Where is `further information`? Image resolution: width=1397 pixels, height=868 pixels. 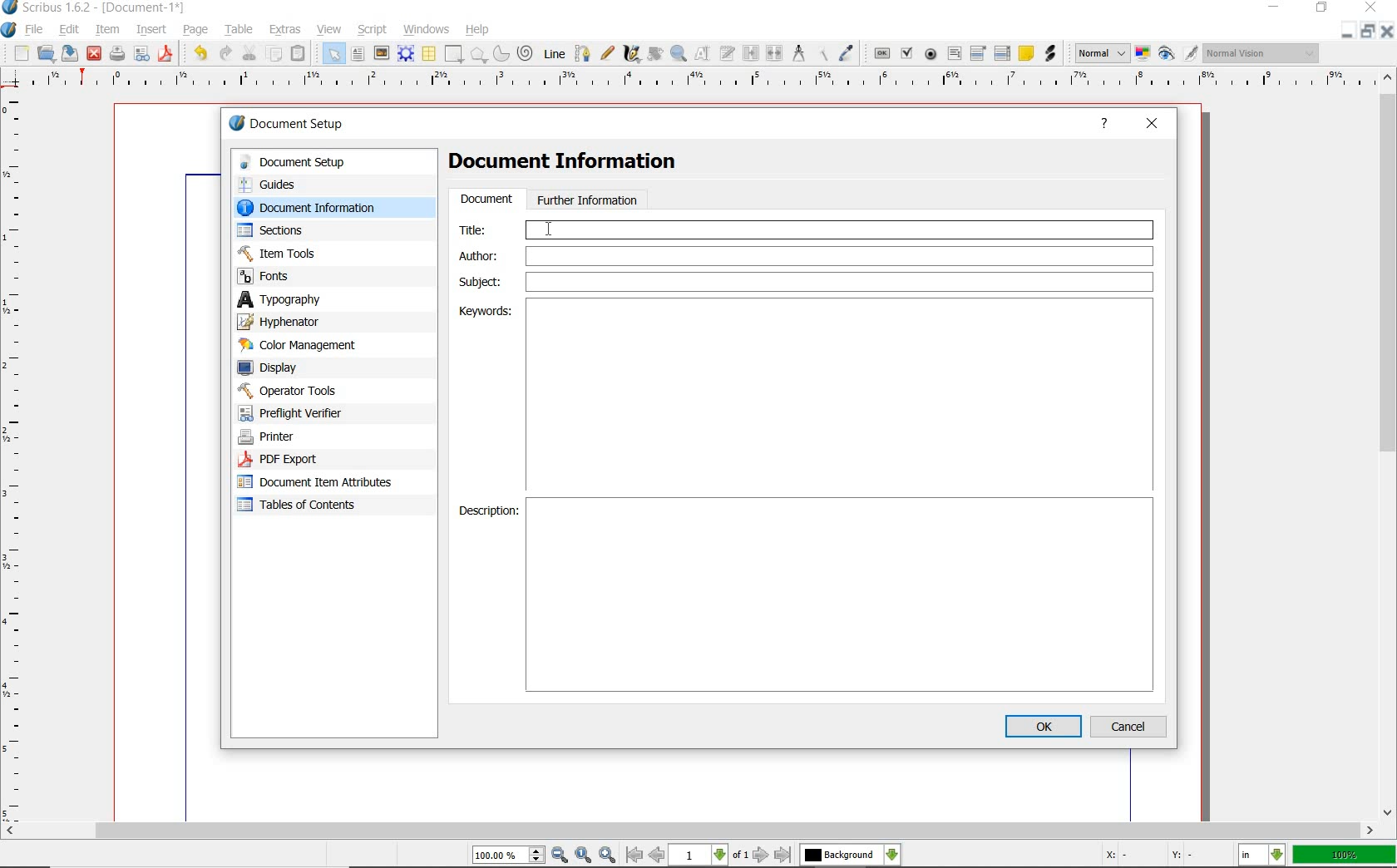 further information is located at coordinates (589, 199).